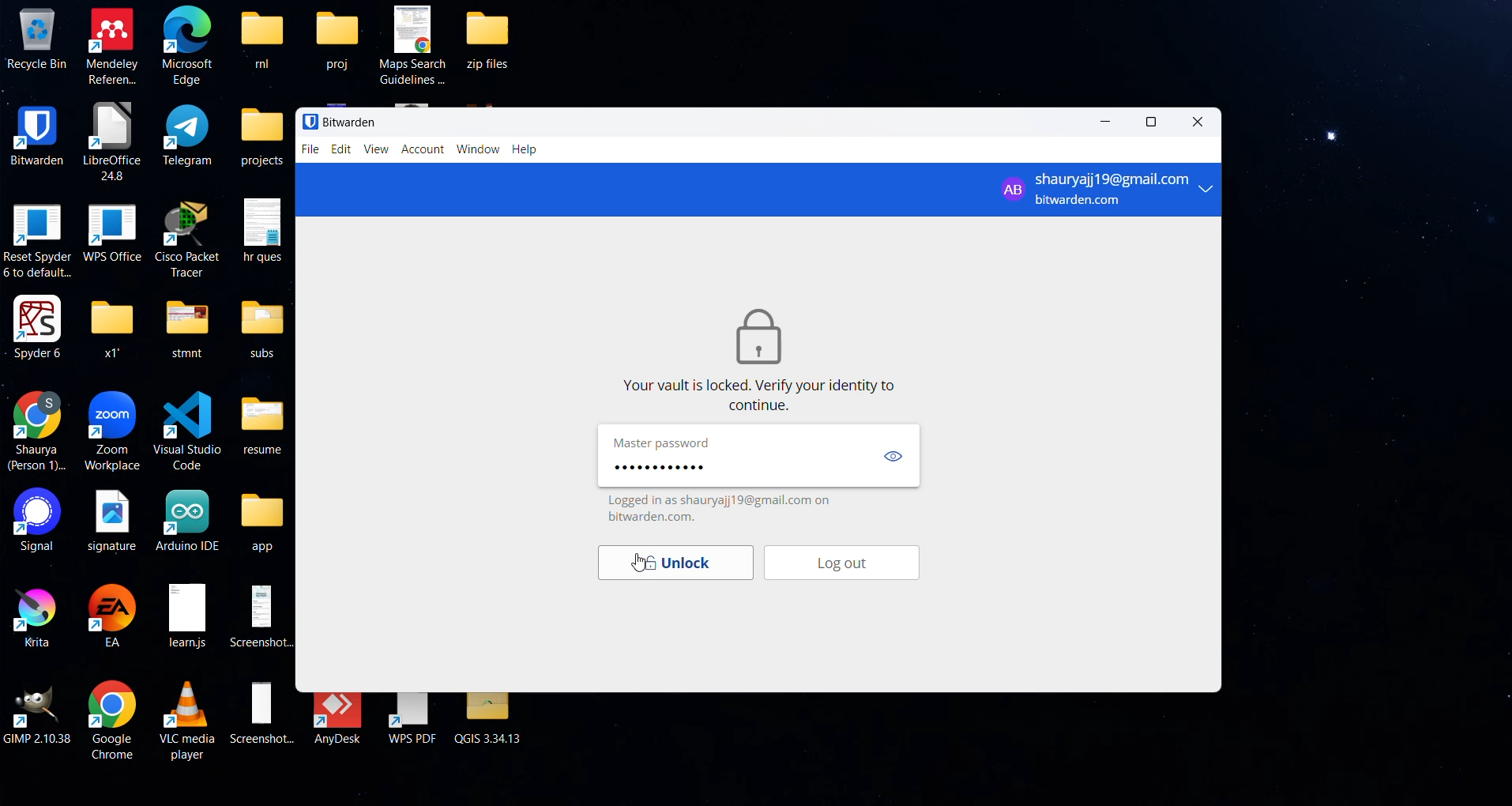 This screenshot has width=1512, height=806. I want to click on Figure, so click(758, 334).